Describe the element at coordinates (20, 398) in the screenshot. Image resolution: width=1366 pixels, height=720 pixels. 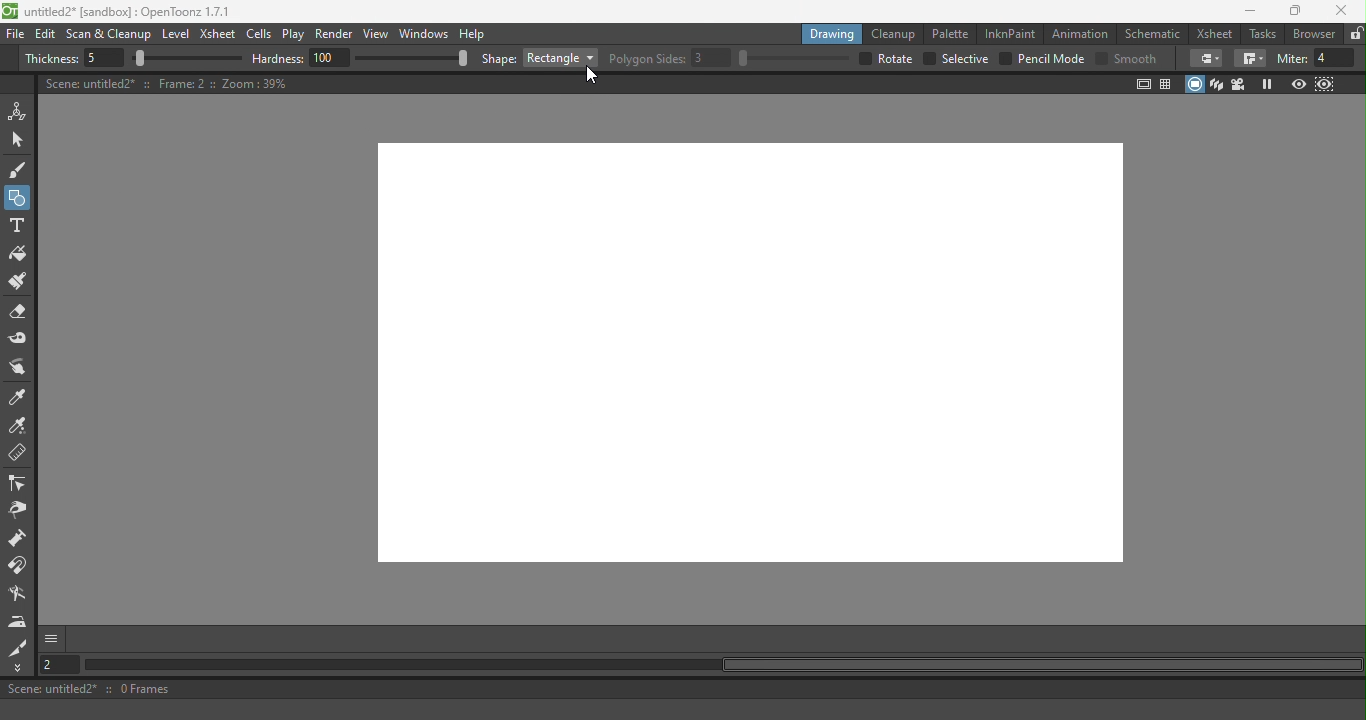
I see `Style picker tool` at that location.